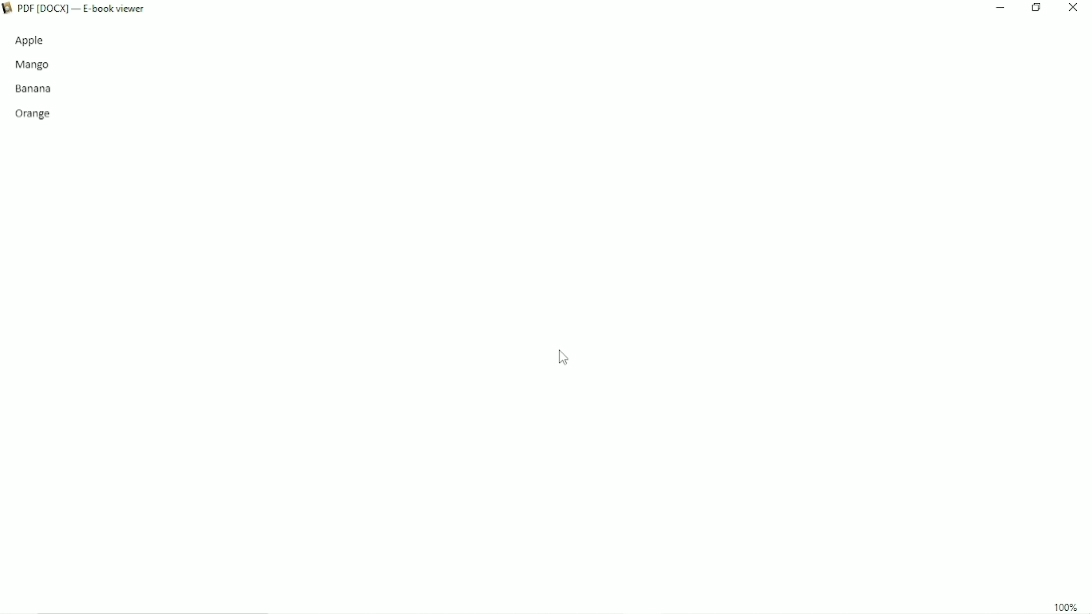 Image resolution: width=1092 pixels, height=614 pixels. Describe the element at coordinates (568, 359) in the screenshot. I see `Cursor` at that location.